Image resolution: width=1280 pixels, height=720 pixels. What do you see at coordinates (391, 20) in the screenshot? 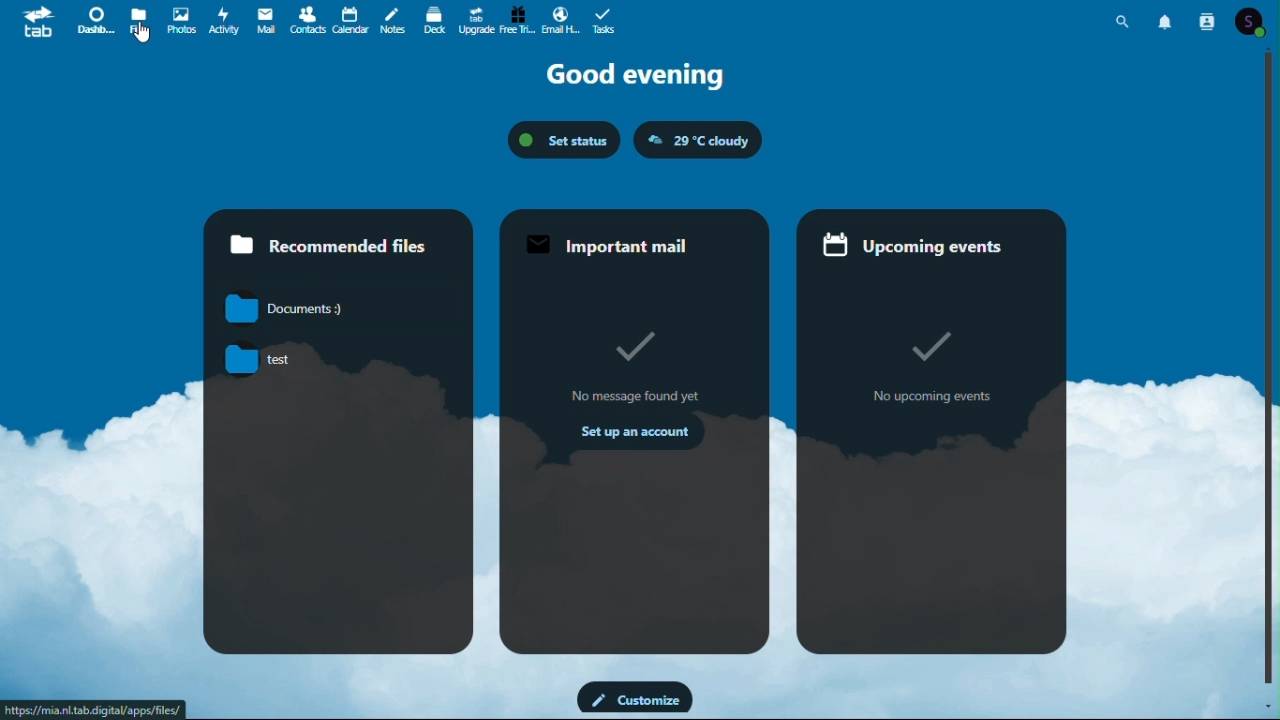
I see `notes` at bounding box center [391, 20].